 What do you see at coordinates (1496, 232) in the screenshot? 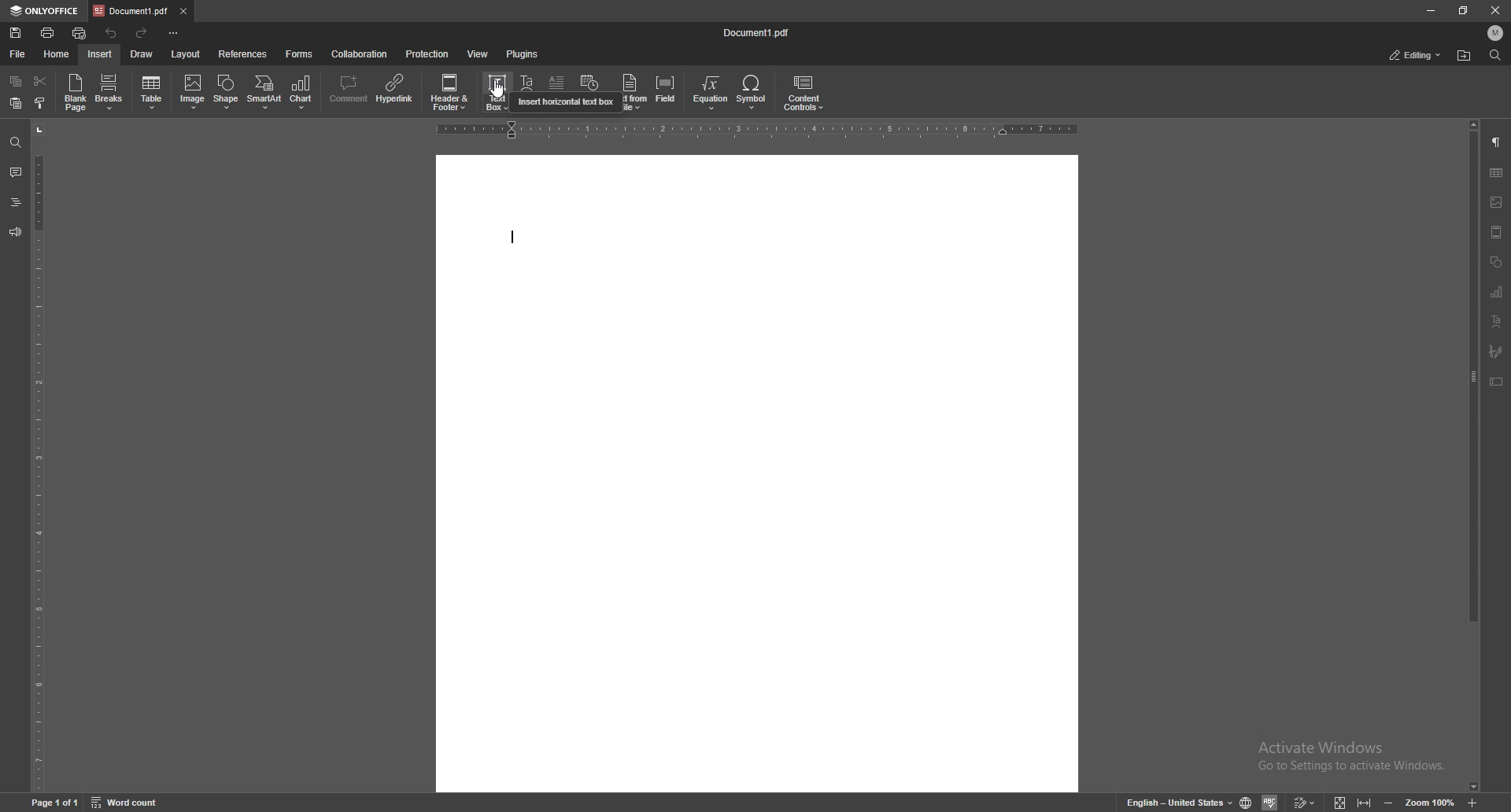
I see `header and footer` at bounding box center [1496, 232].